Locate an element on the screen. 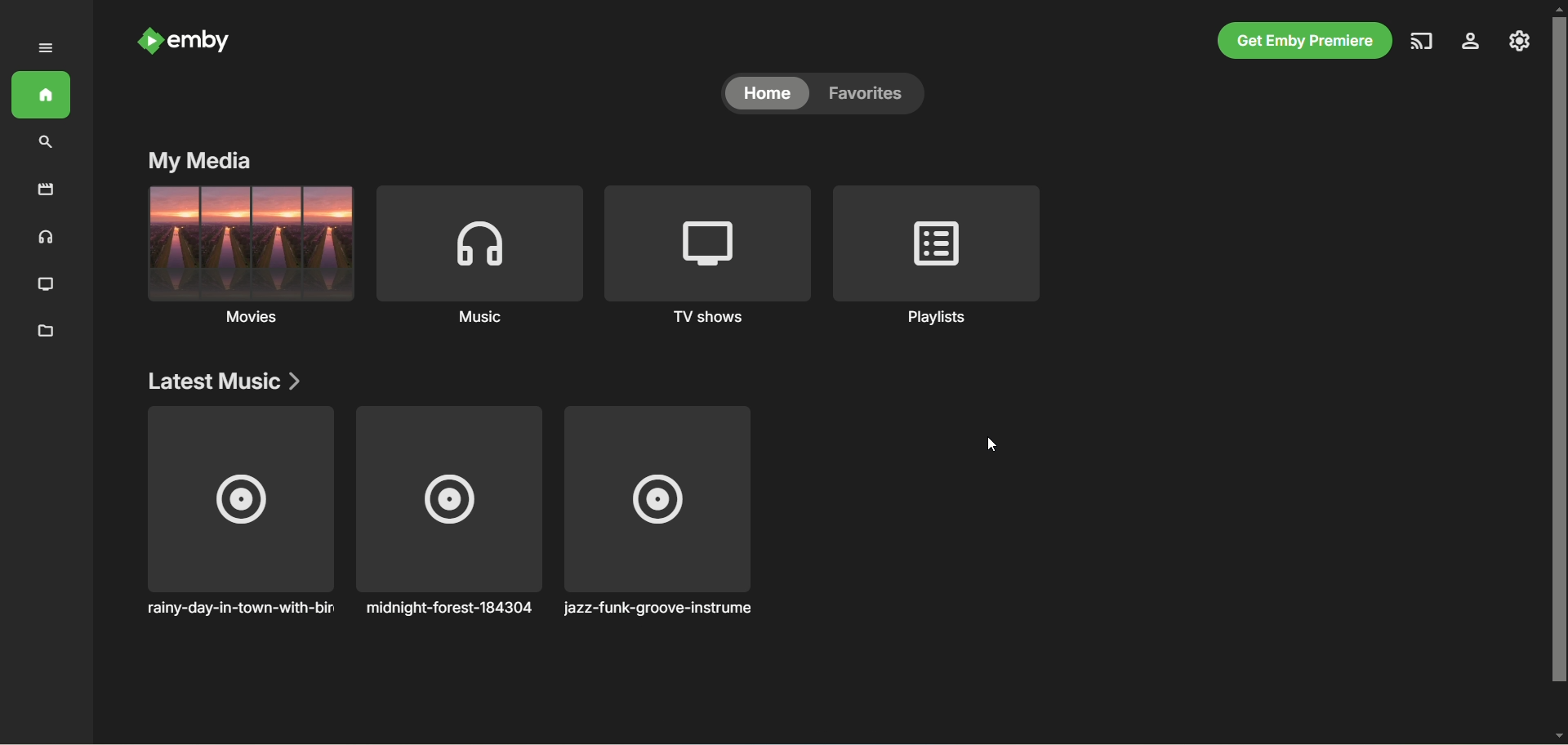  cursor is located at coordinates (992, 444).